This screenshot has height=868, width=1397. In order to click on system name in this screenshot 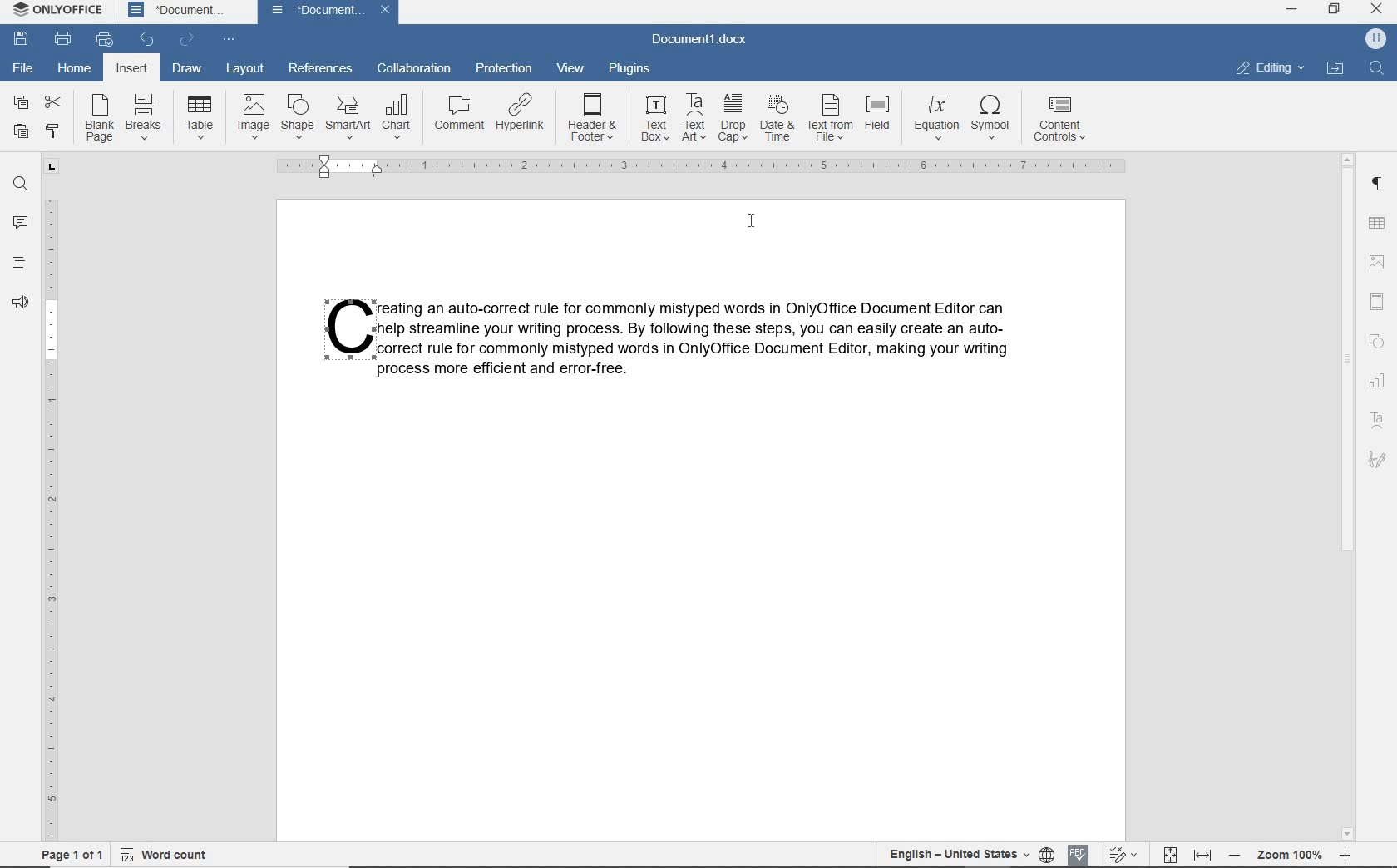, I will do `click(55, 11)`.